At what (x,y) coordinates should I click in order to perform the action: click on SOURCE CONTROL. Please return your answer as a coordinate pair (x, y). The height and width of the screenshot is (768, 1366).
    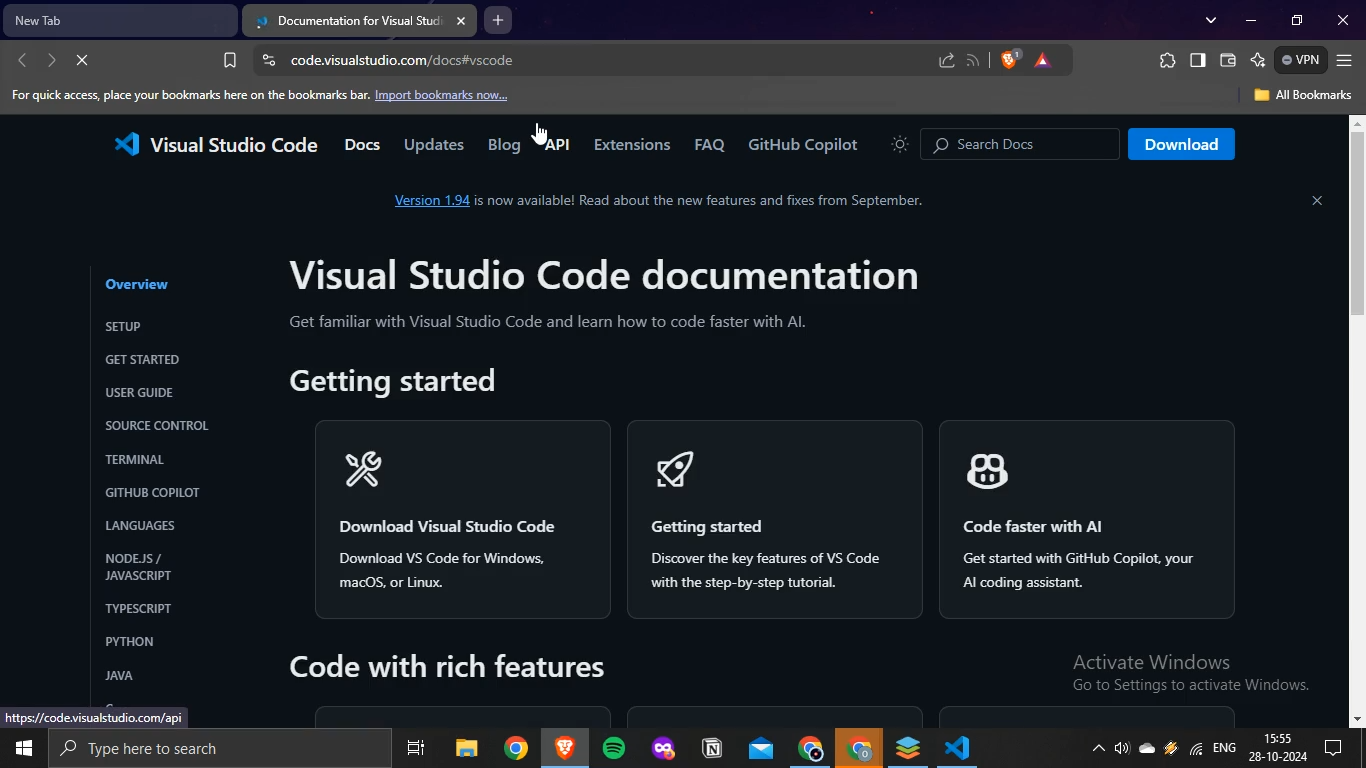
    Looking at the image, I should click on (154, 425).